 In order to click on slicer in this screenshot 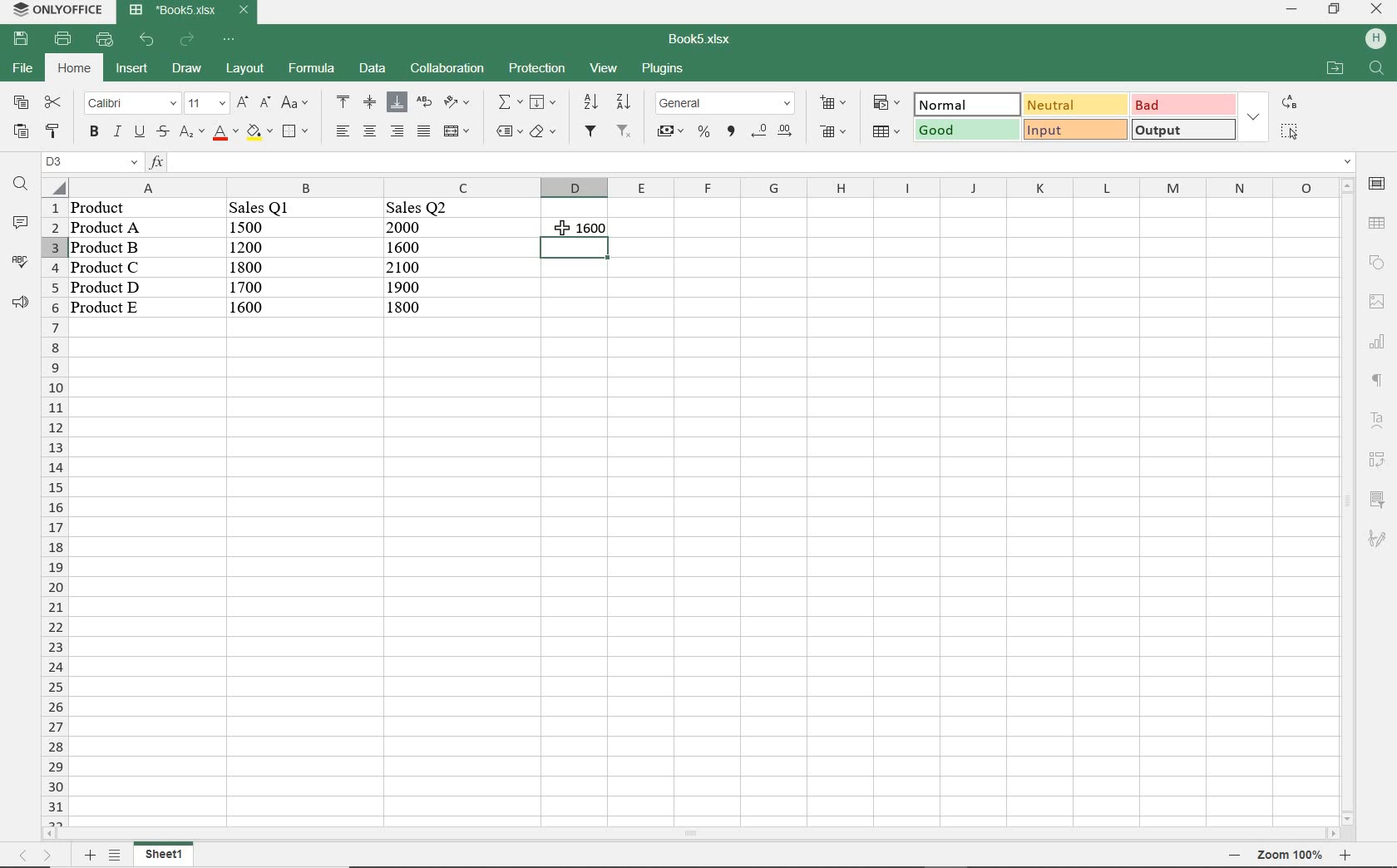, I will do `click(1377, 499)`.